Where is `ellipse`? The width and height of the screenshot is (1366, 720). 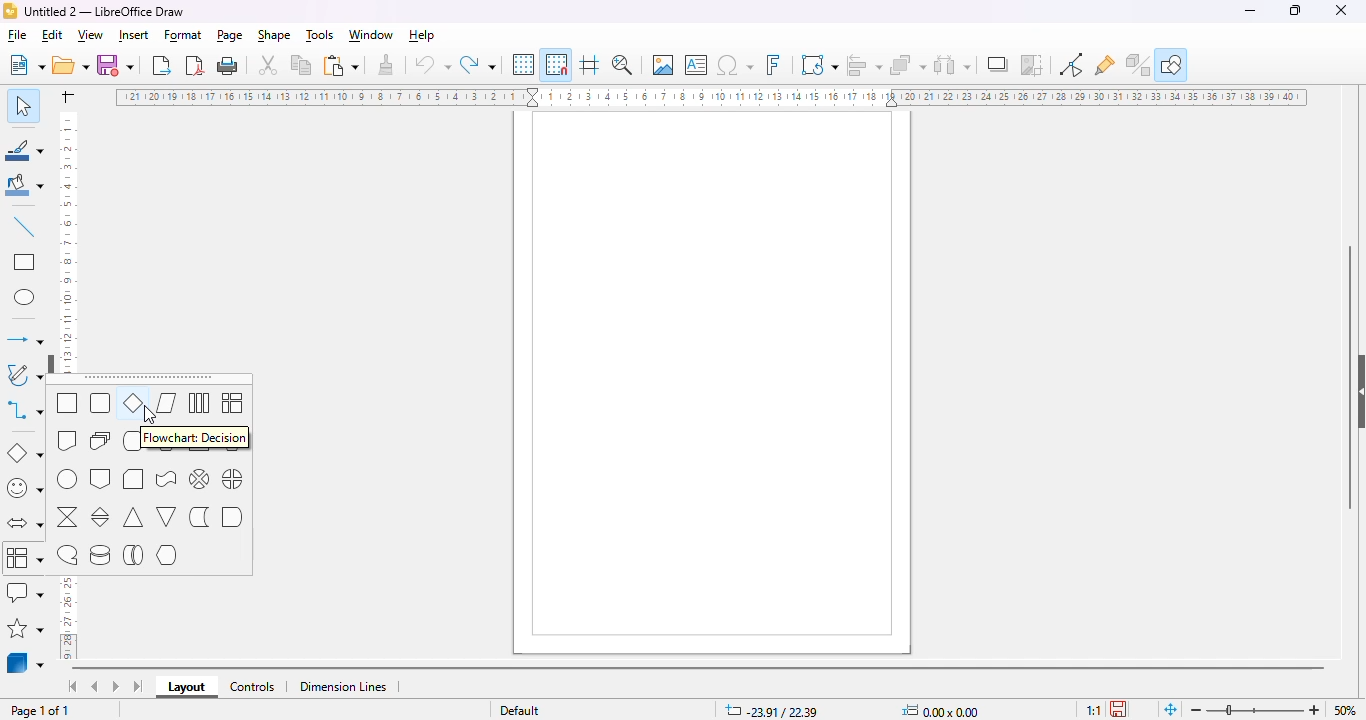 ellipse is located at coordinates (25, 297).